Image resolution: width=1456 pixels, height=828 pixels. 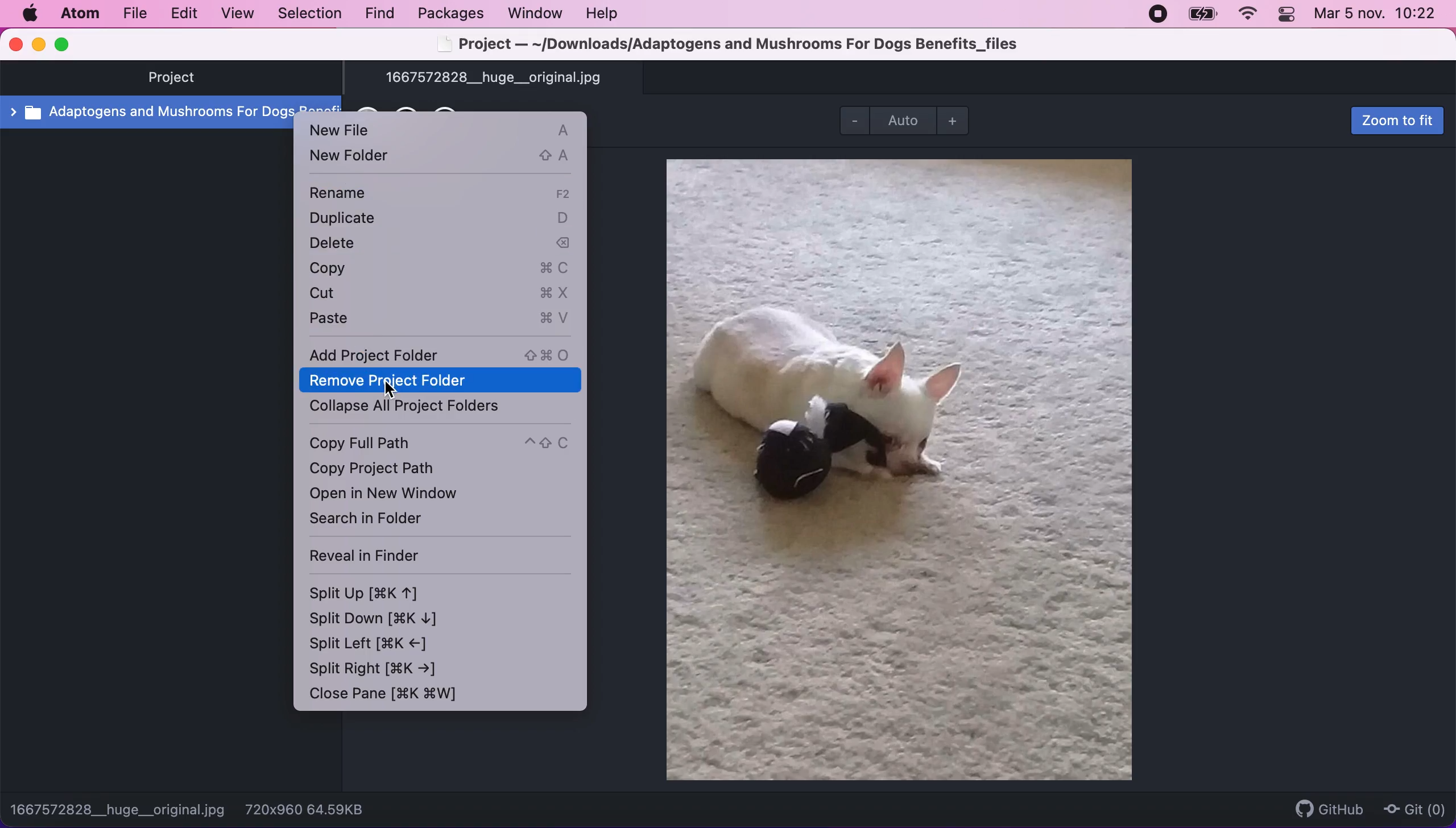 What do you see at coordinates (904, 470) in the screenshot?
I see `file image` at bounding box center [904, 470].